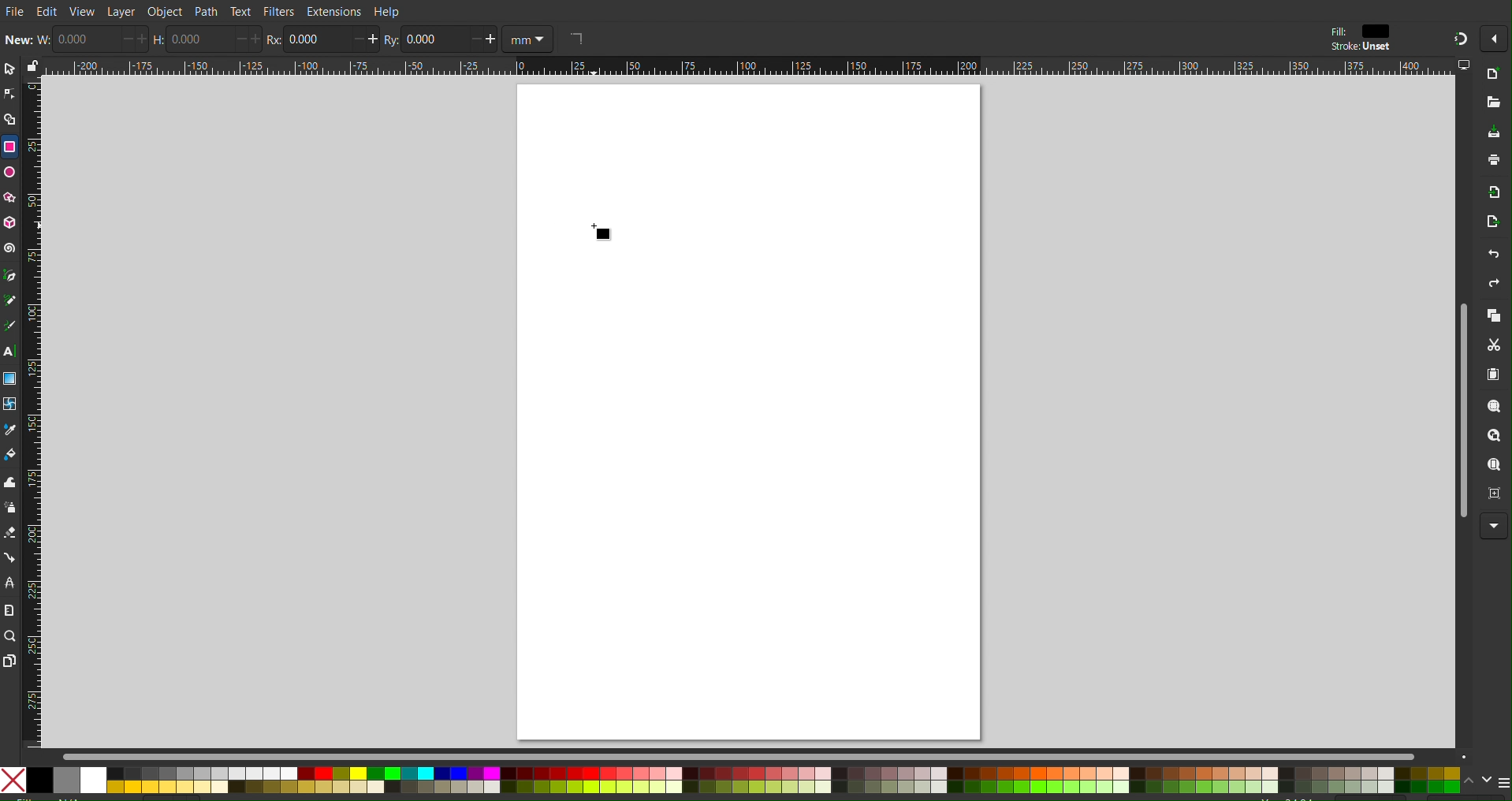 This screenshot has height=801, width=1512. Describe the element at coordinates (1496, 410) in the screenshot. I see `Zoom Selection` at that location.